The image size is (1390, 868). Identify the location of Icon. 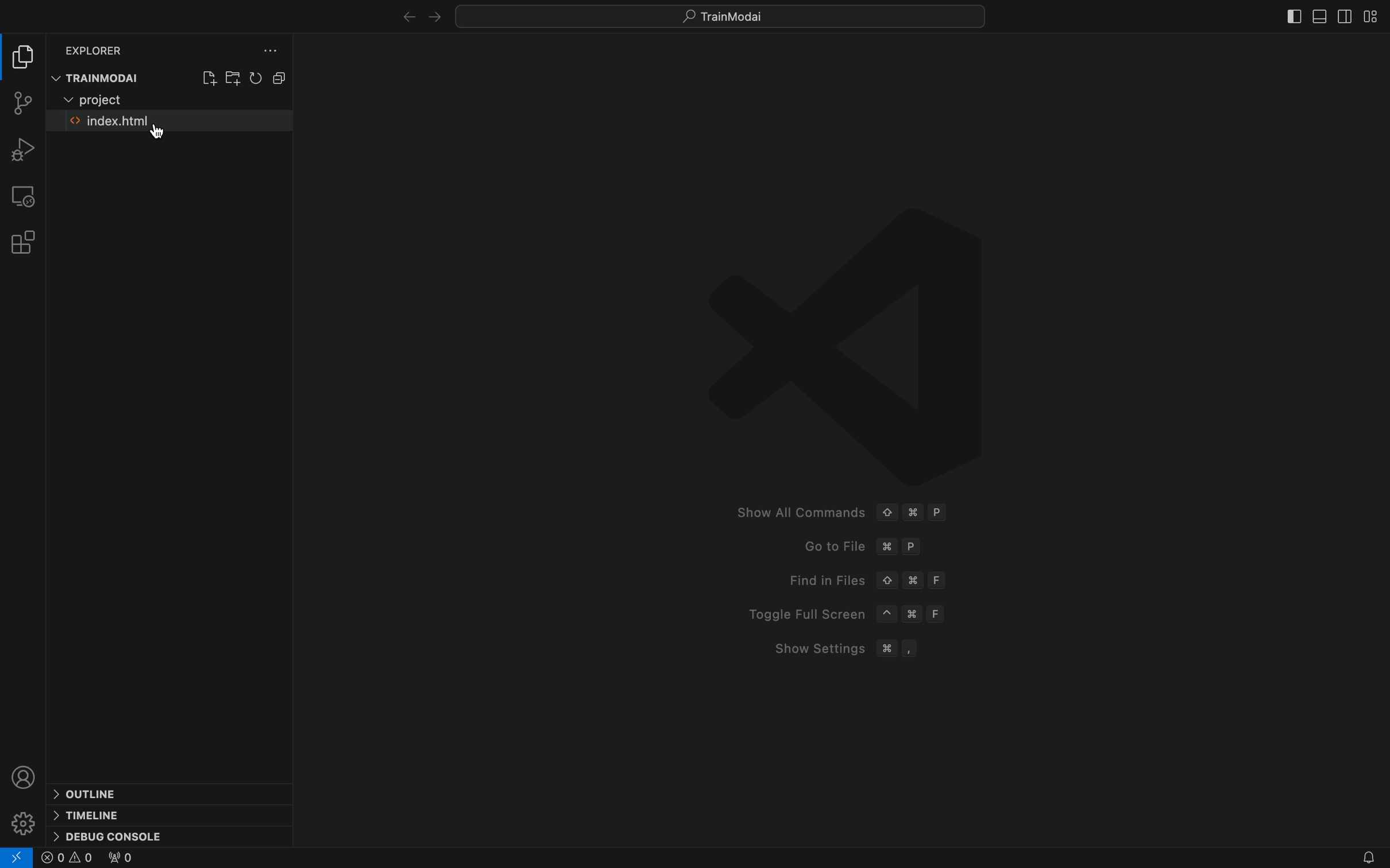
(842, 325).